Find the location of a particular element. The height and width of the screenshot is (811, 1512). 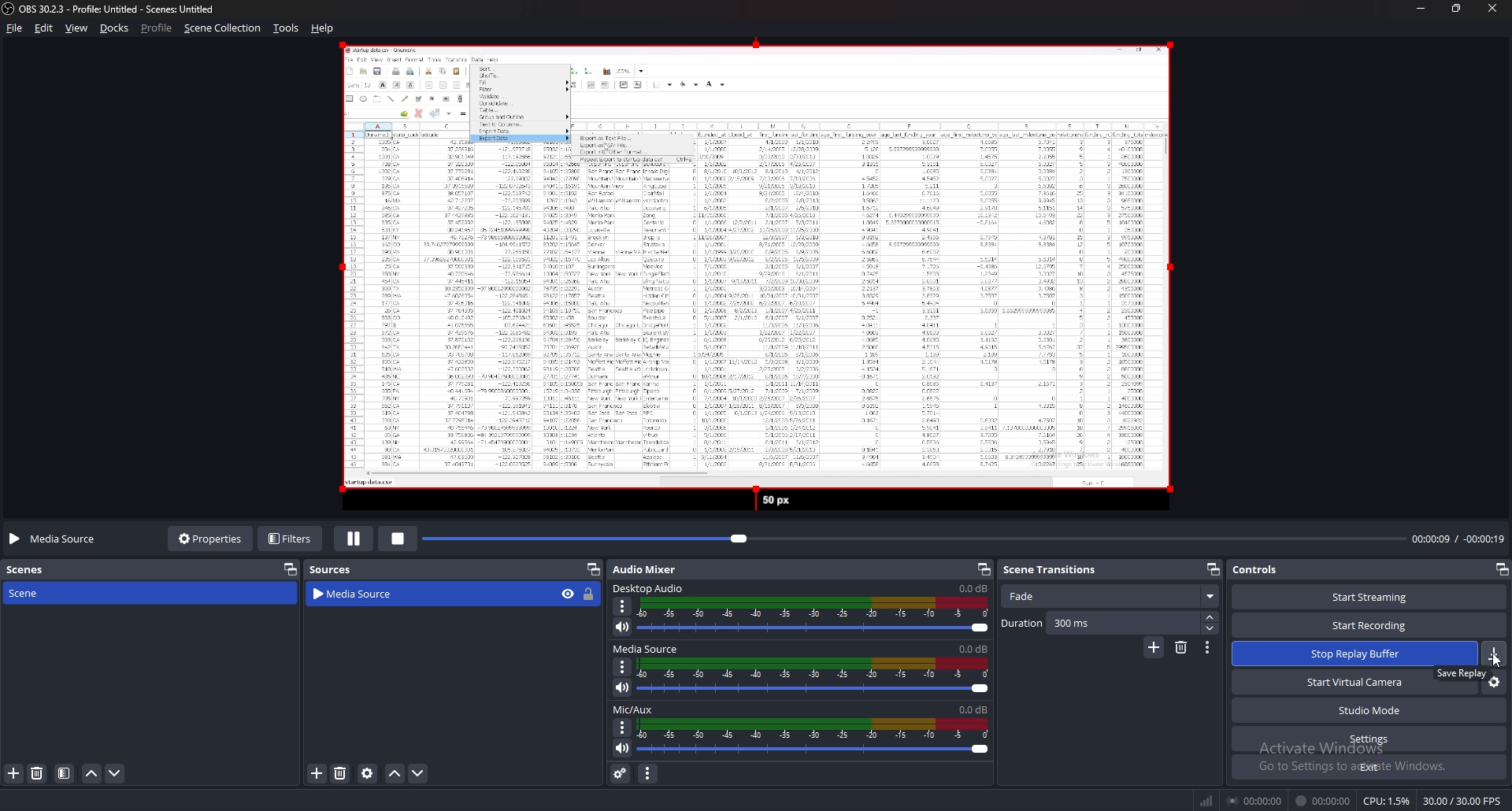

advanced audio properties is located at coordinates (621, 772).